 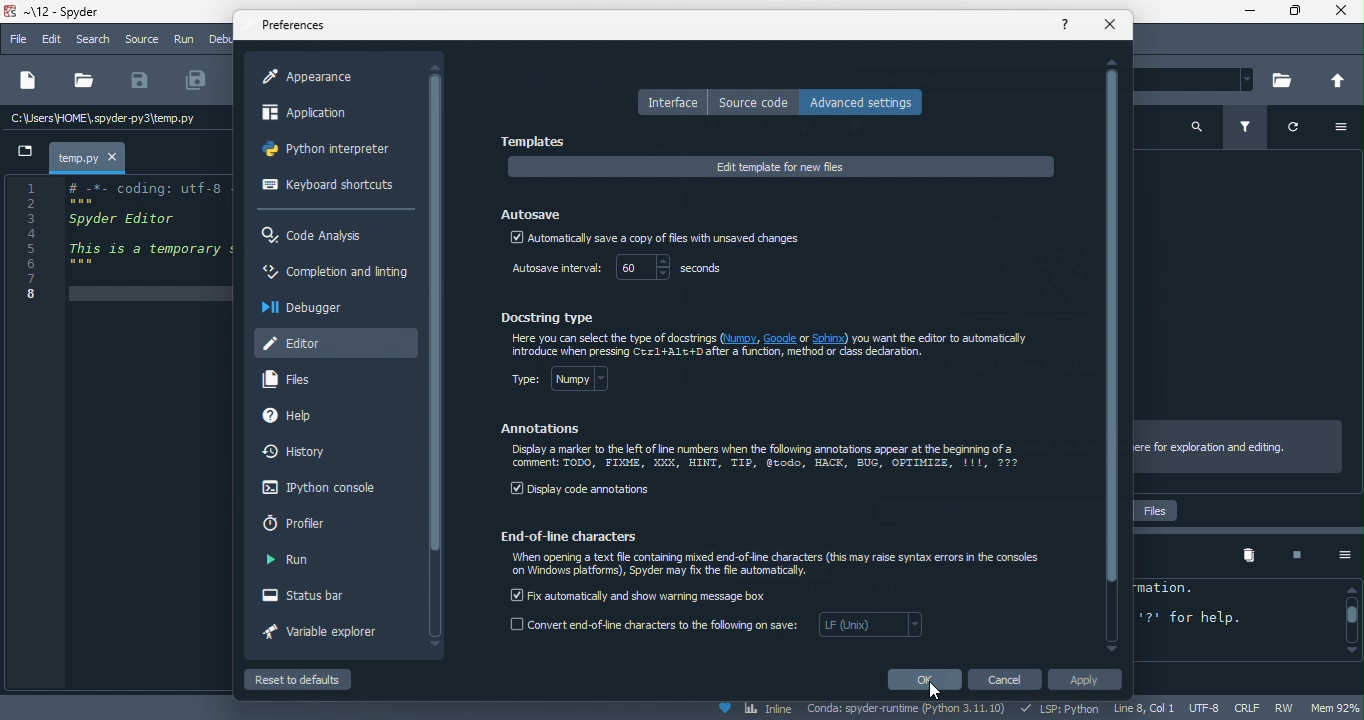 What do you see at coordinates (54, 40) in the screenshot?
I see `edit` at bounding box center [54, 40].